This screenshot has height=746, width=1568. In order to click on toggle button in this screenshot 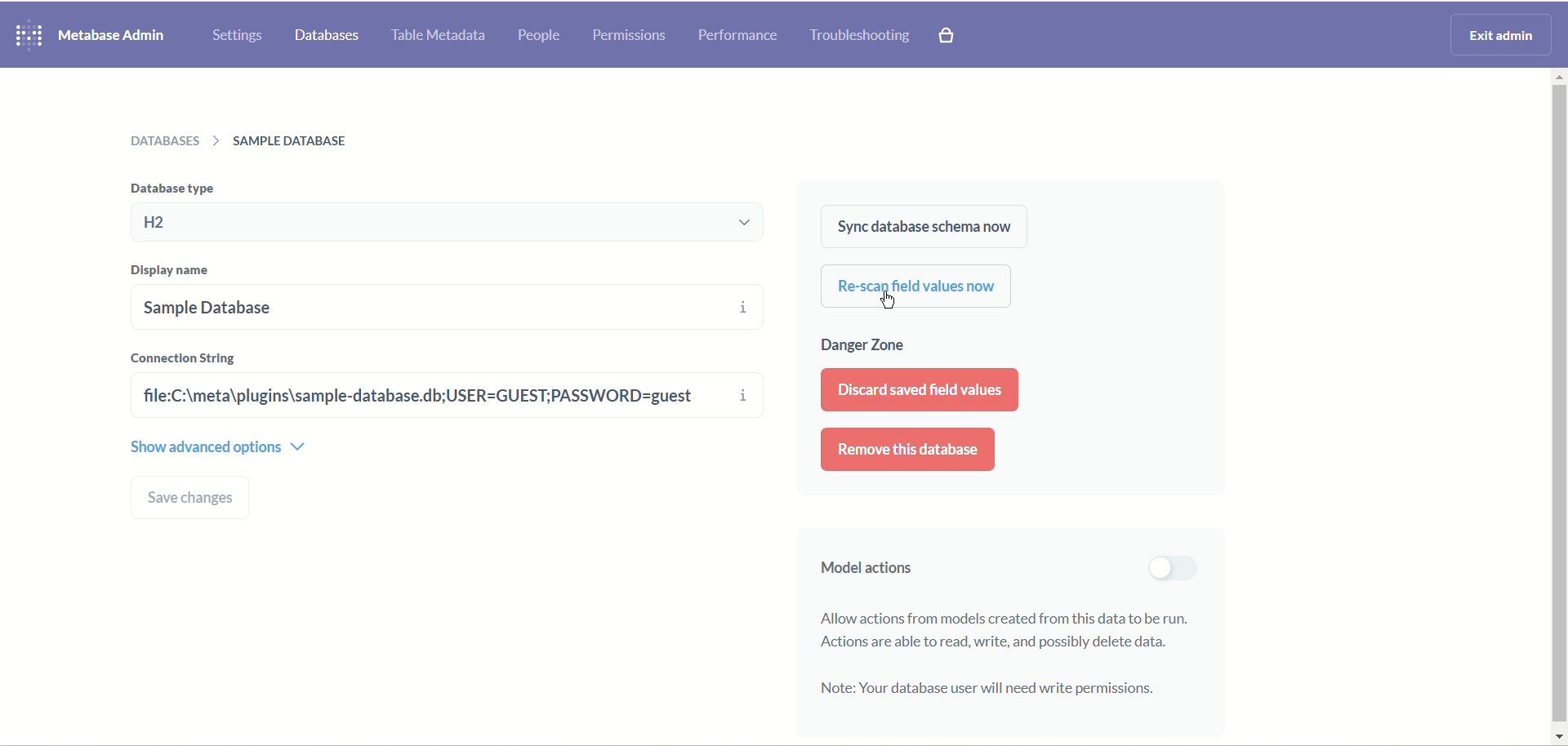, I will do `click(1170, 568)`.